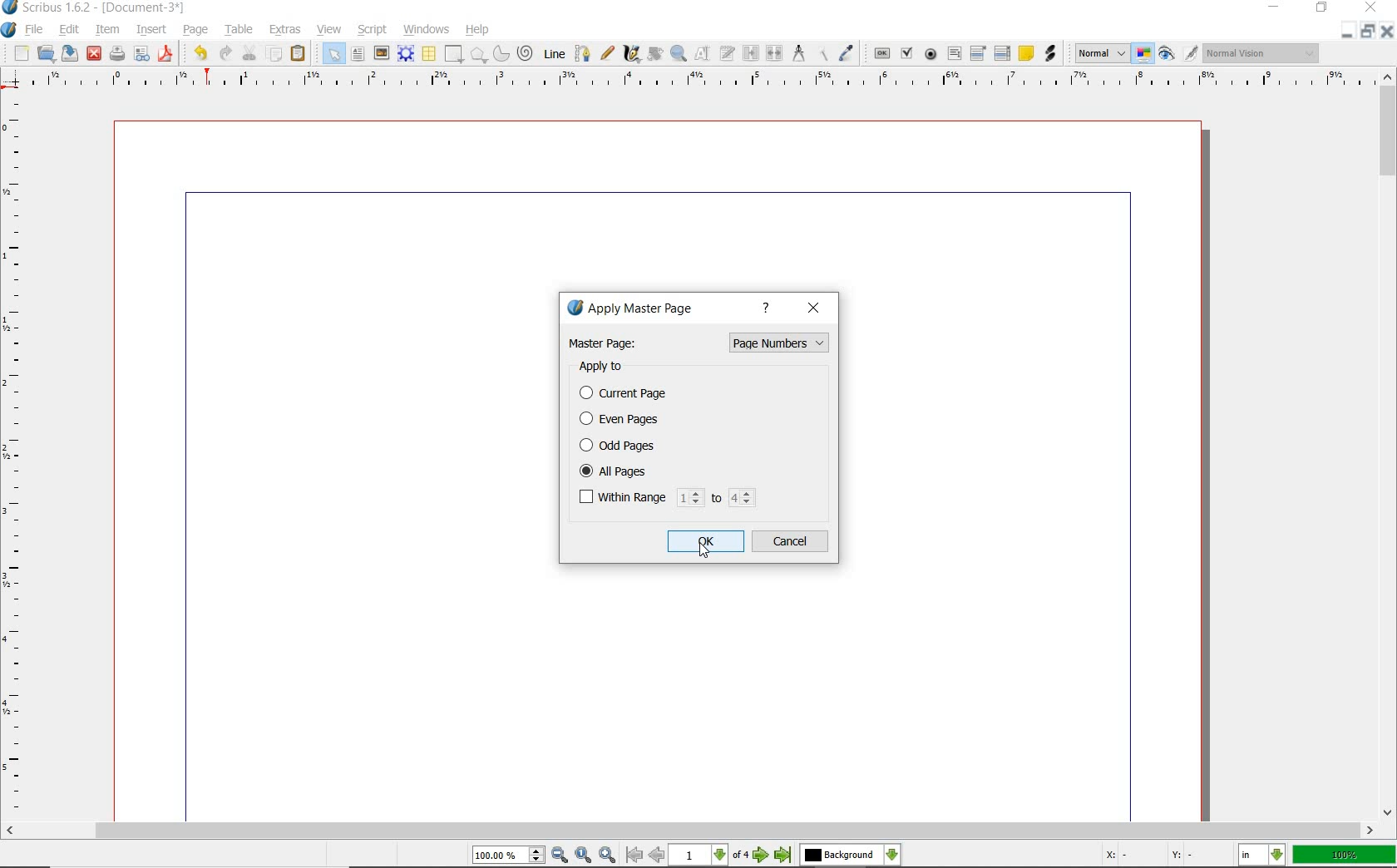  What do you see at coordinates (792, 542) in the screenshot?
I see `cancel` at bounding box center [792, 542].